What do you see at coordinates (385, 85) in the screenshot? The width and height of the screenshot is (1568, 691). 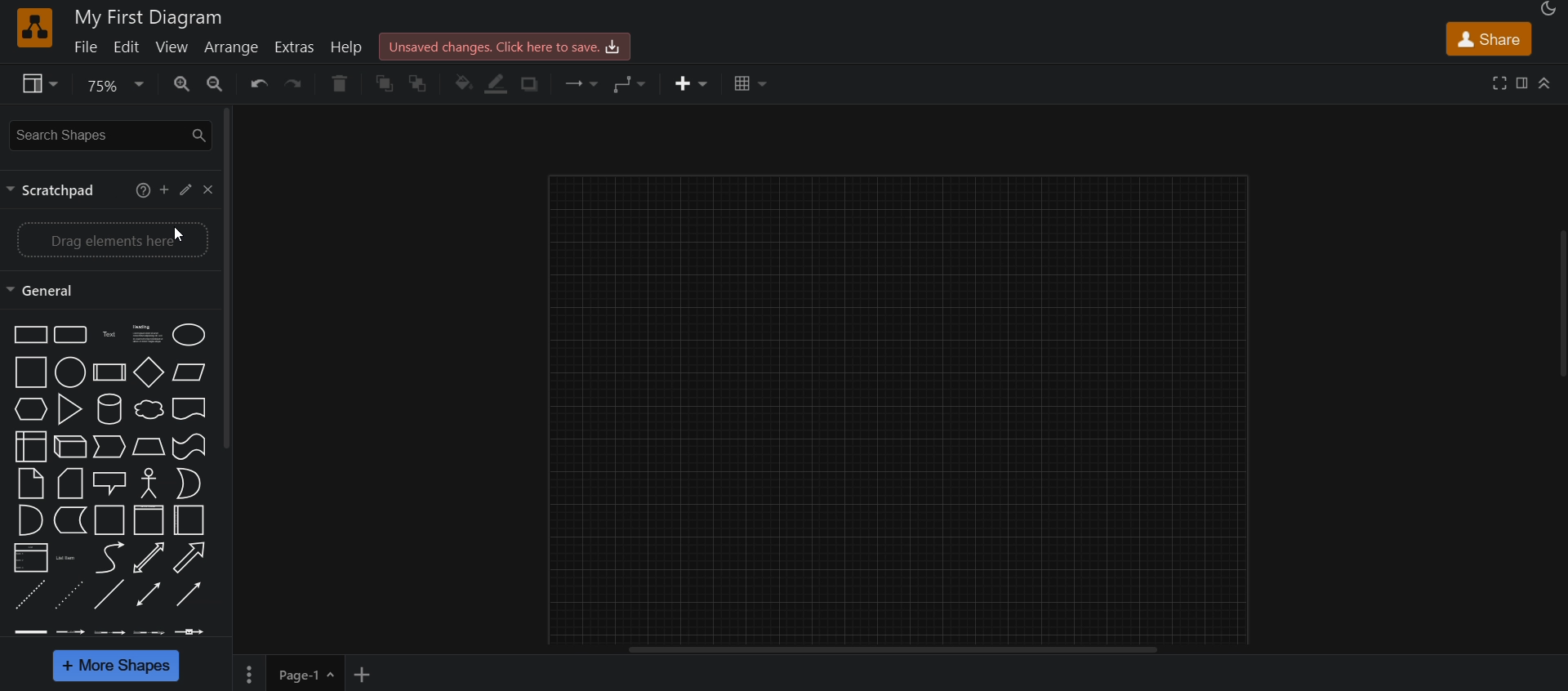 I see `to front` at bounding box center [385, 85].